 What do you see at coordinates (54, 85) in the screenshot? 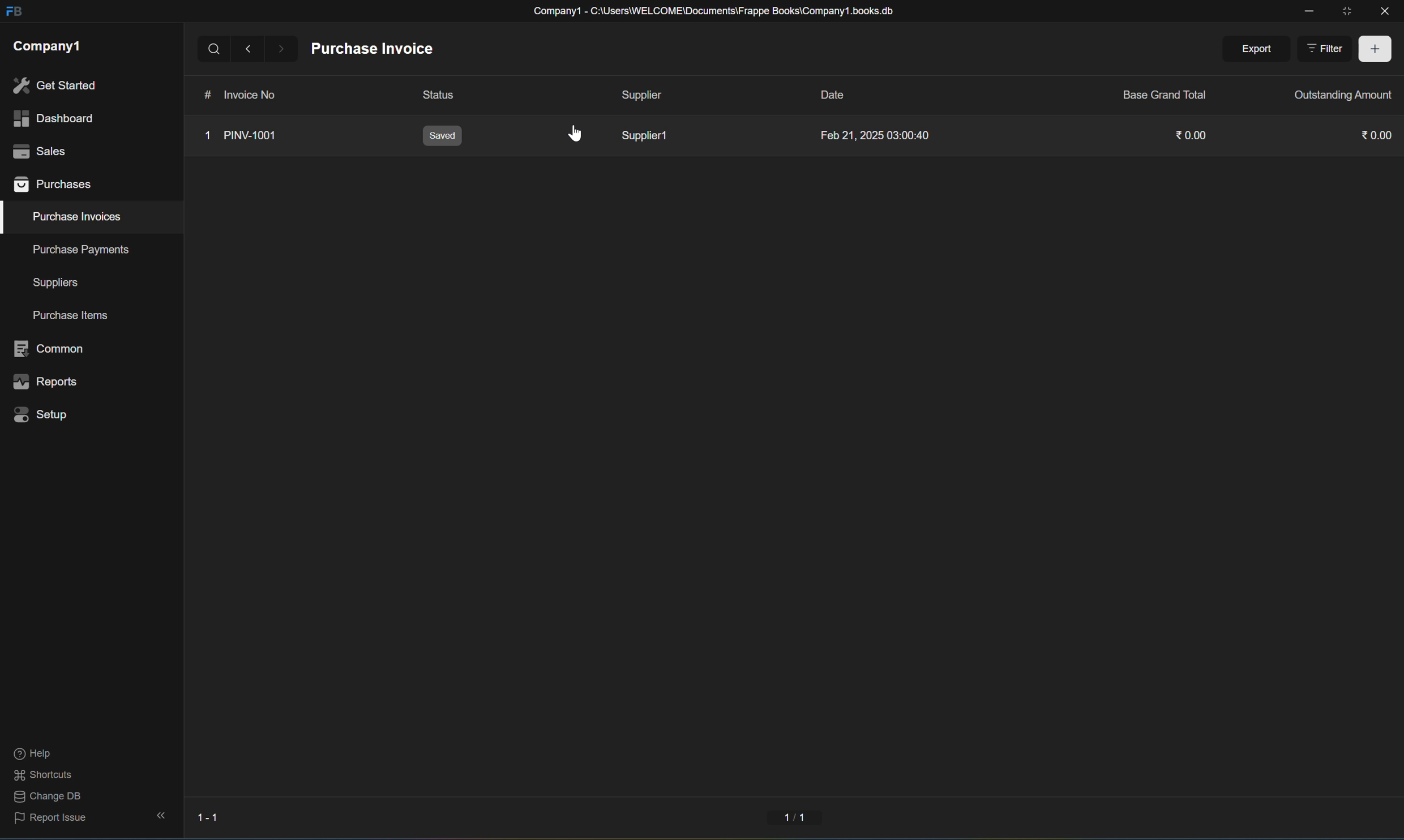
I see `get started` at bounding box center [54, 85].